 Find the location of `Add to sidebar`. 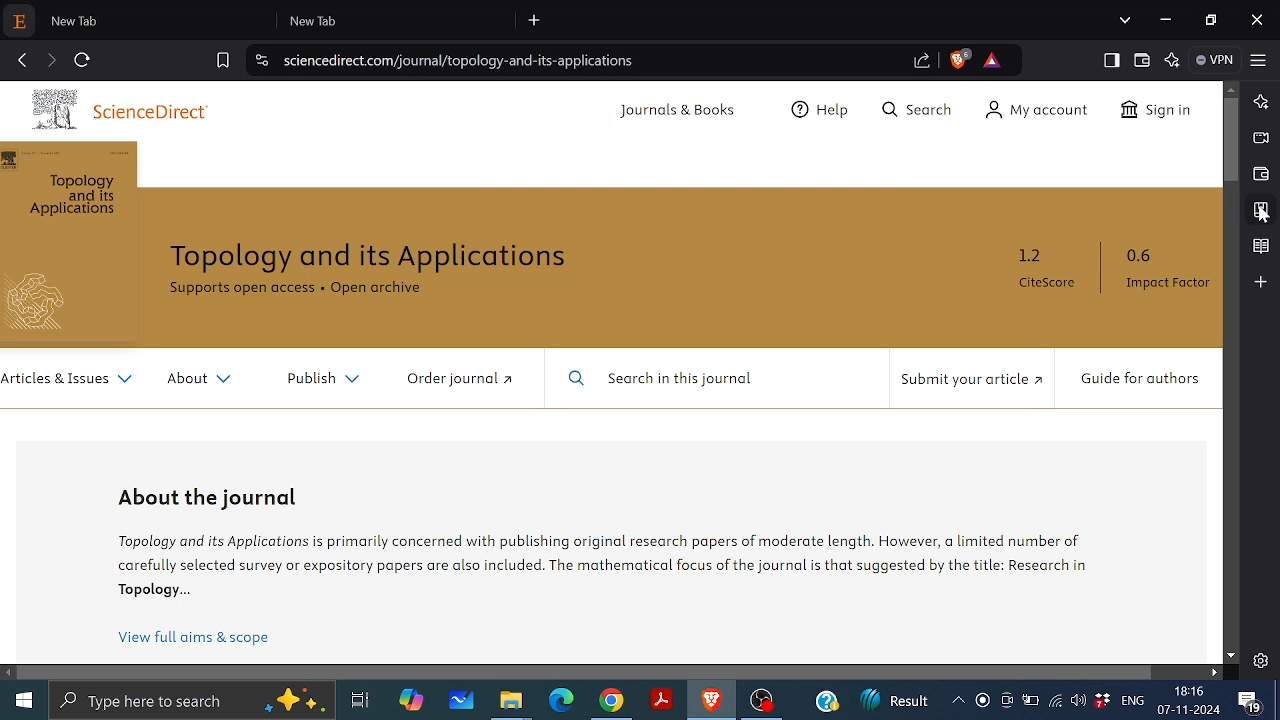

Add to sidebar is located at coordinates (1262, 281).